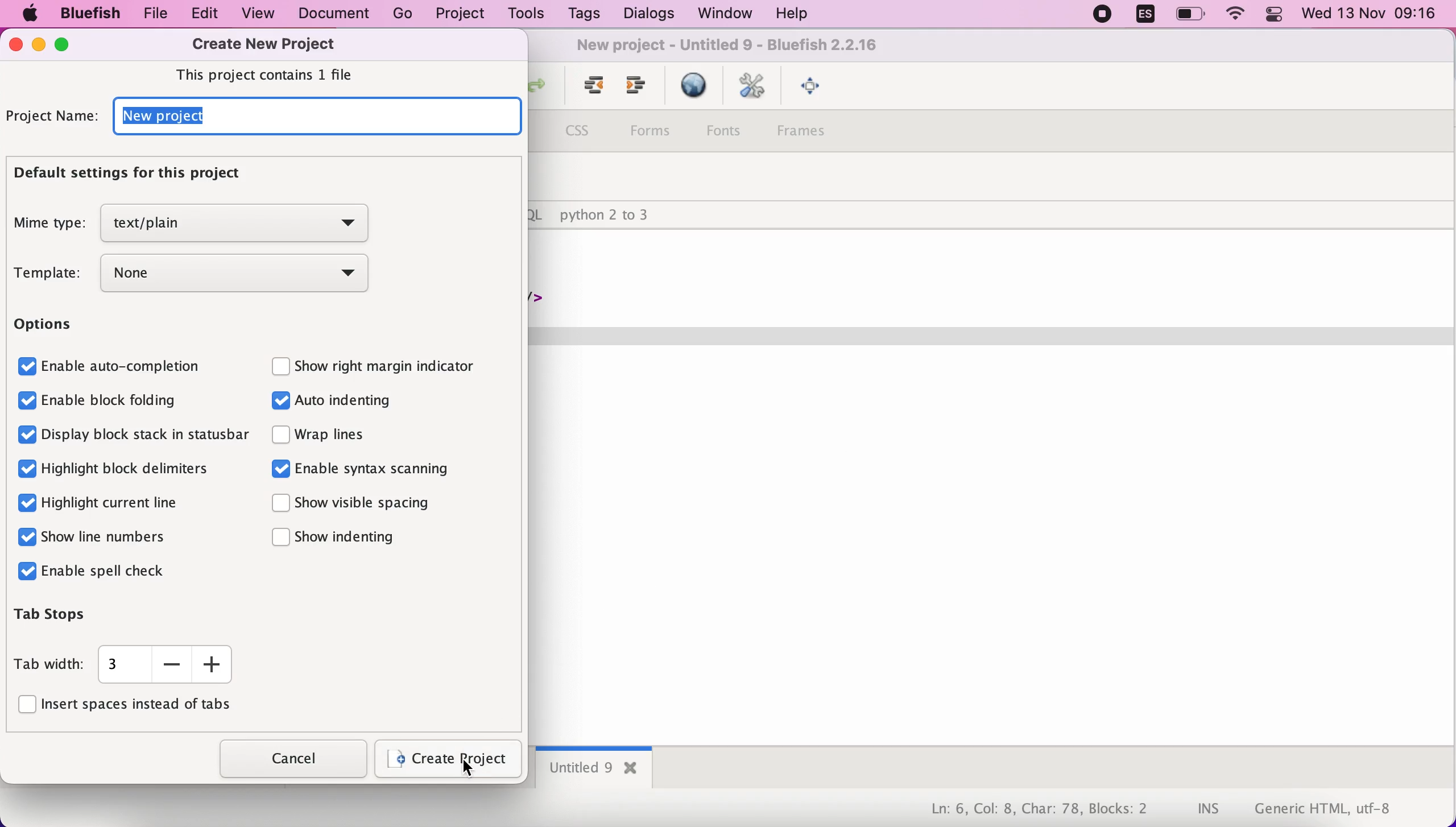 Image resolution: width=1456 pixels, height=827 pixels. Describe the element at coordinates (339, 537) in the screenshot. I see `show indenting` at that location.